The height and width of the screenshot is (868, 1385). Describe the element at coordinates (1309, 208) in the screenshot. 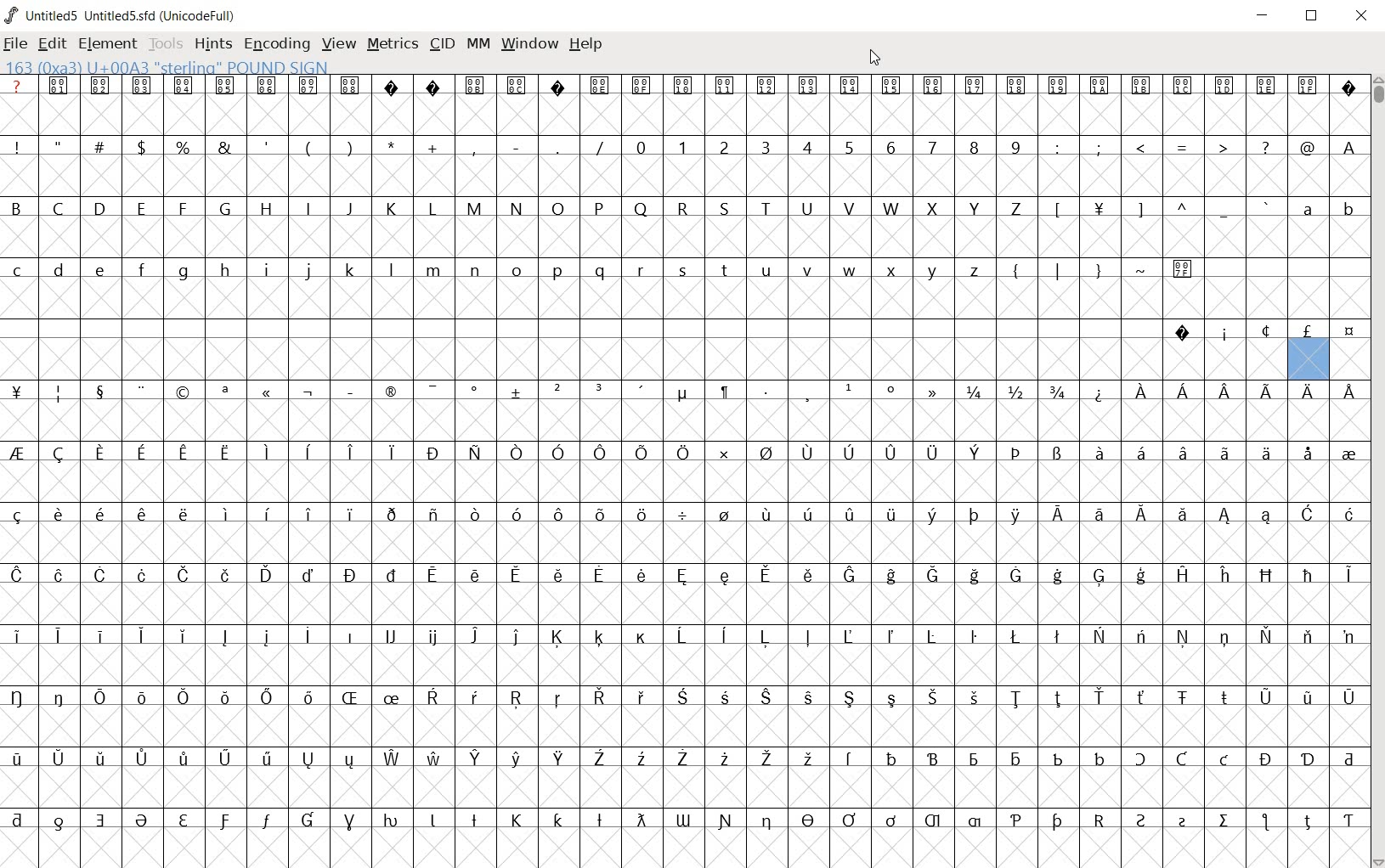

I see `a` at that location.